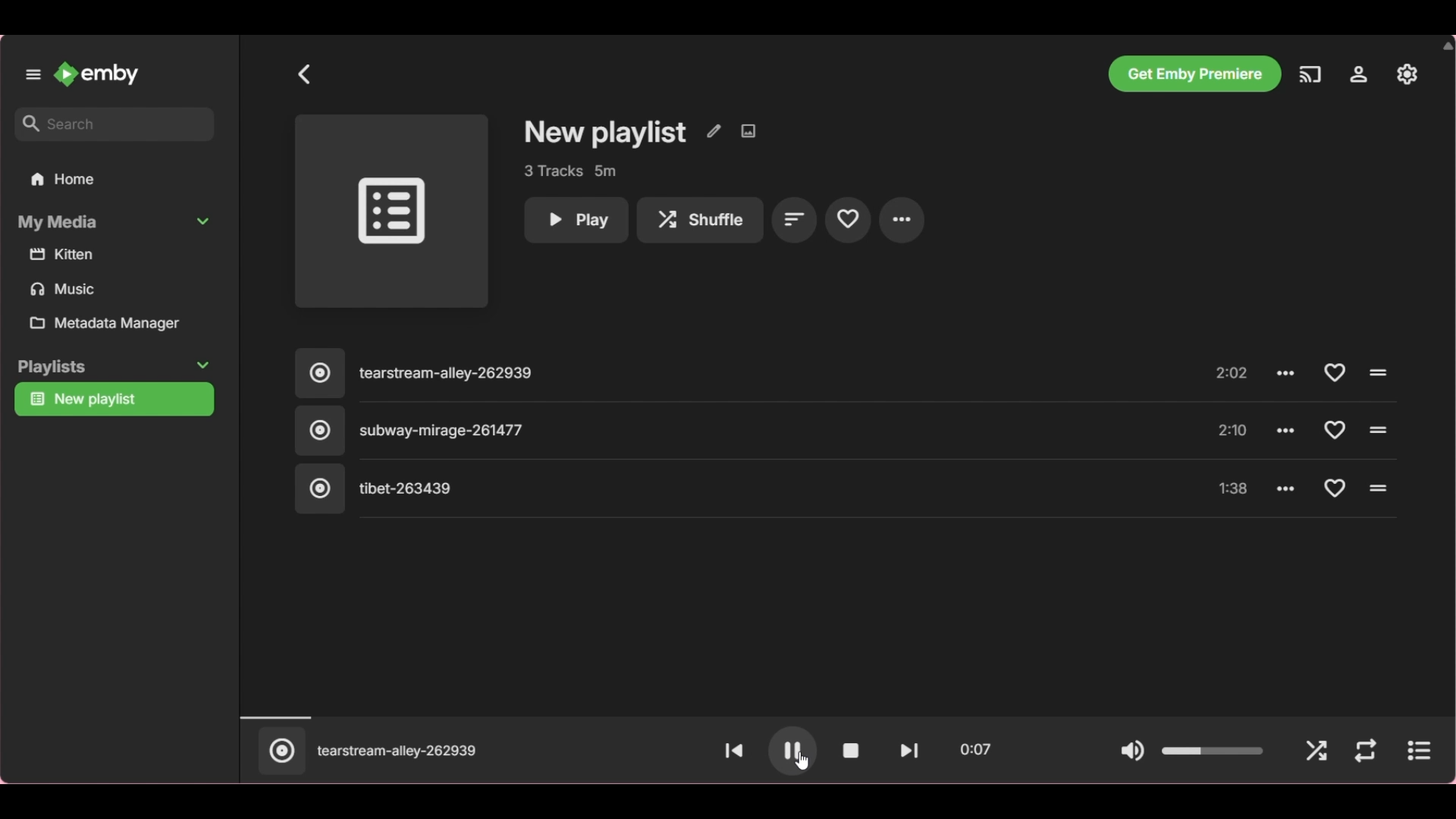 The height and width of the screenshot is (819, 1456). Describe the element at coordinates (975, 750) in the screenshot. I see `Current timestamp of song playing` at that location.